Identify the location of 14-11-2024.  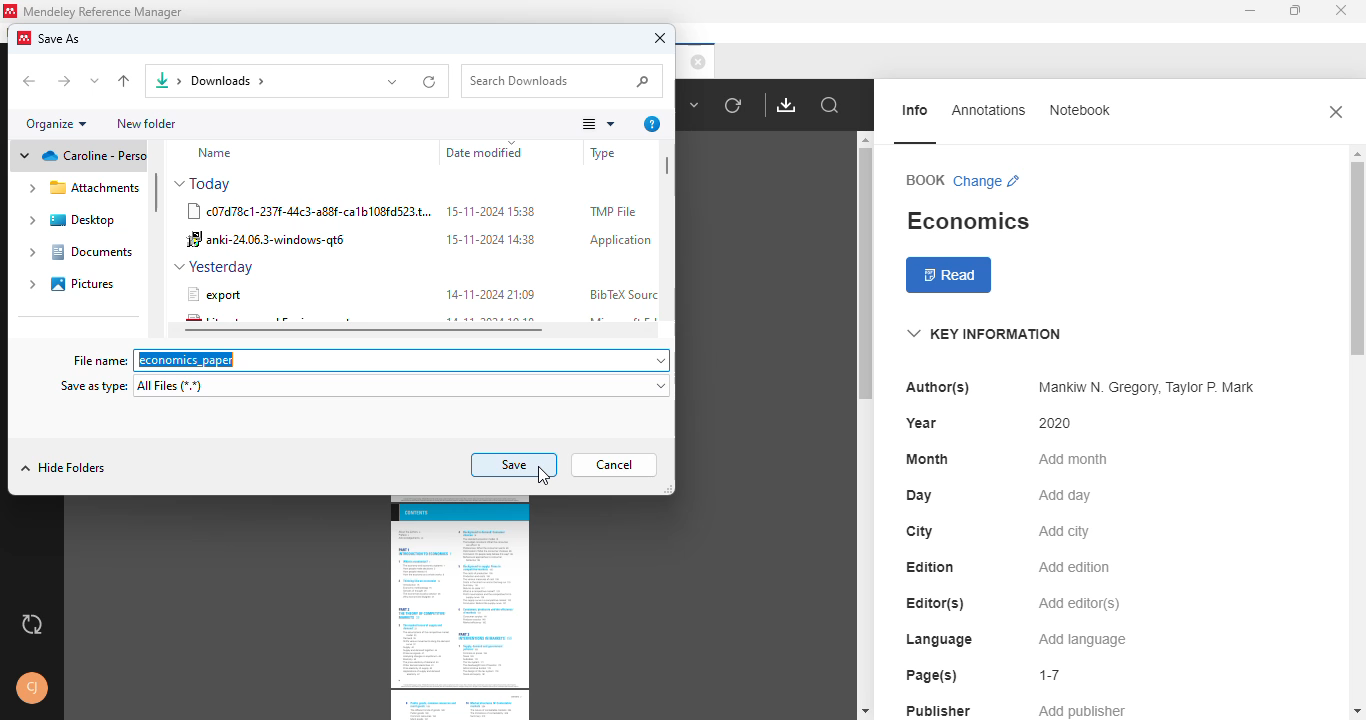
(490, 294).